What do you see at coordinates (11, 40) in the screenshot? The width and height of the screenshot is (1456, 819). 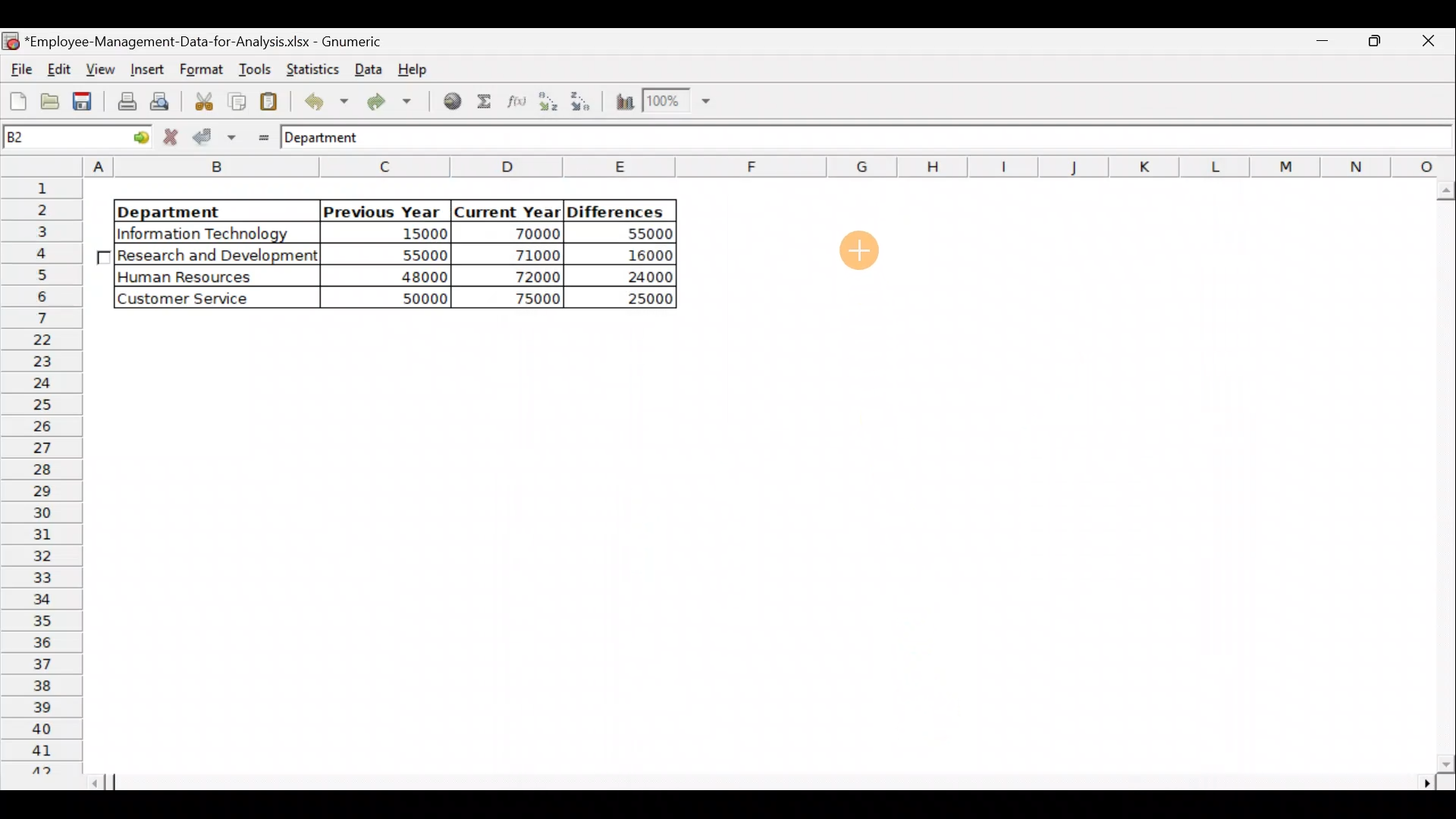 I see `Gnumeric logo` at bounding box center [11, 40].